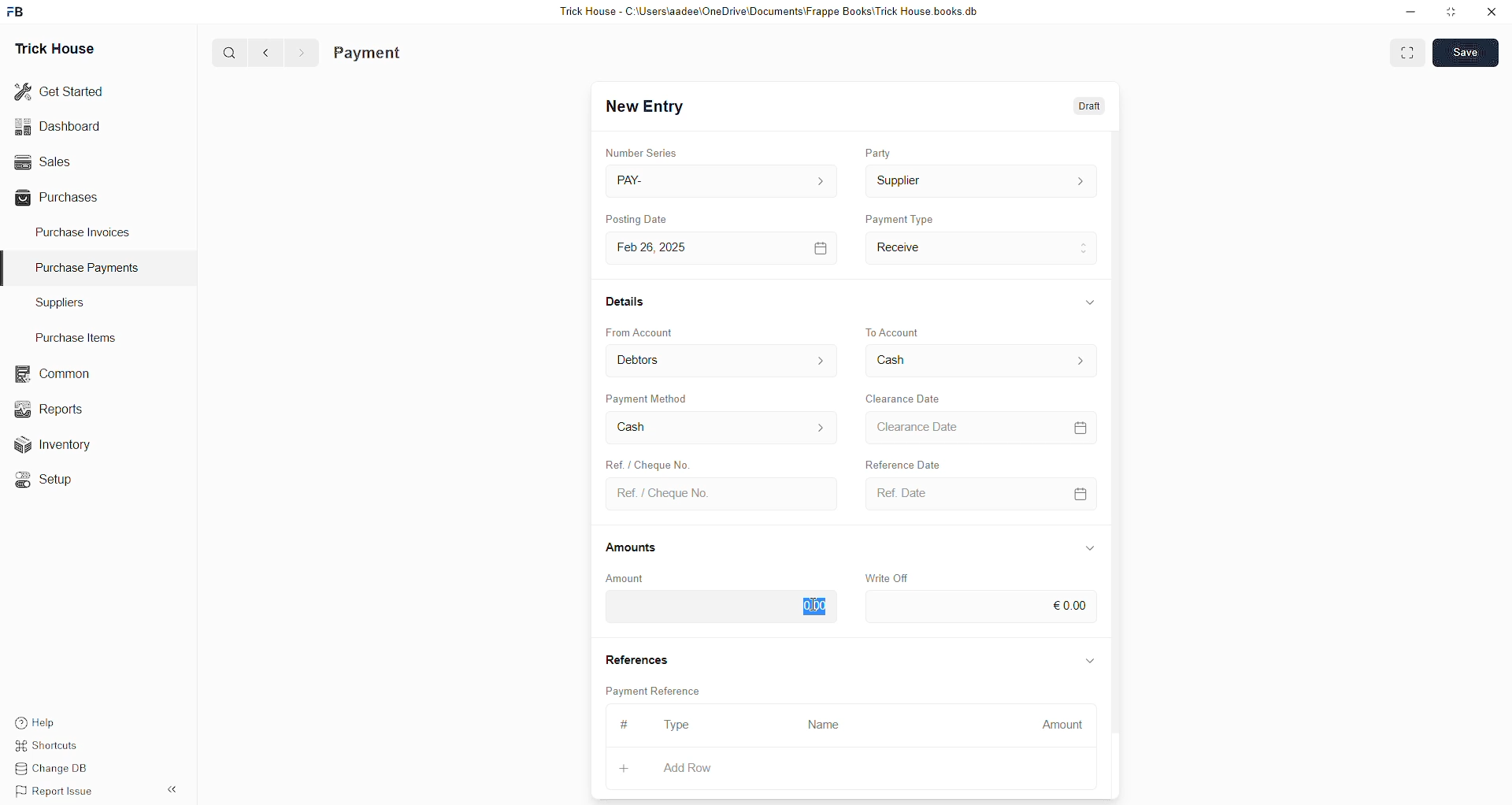  I want to click on cursor, so click(814, 601).